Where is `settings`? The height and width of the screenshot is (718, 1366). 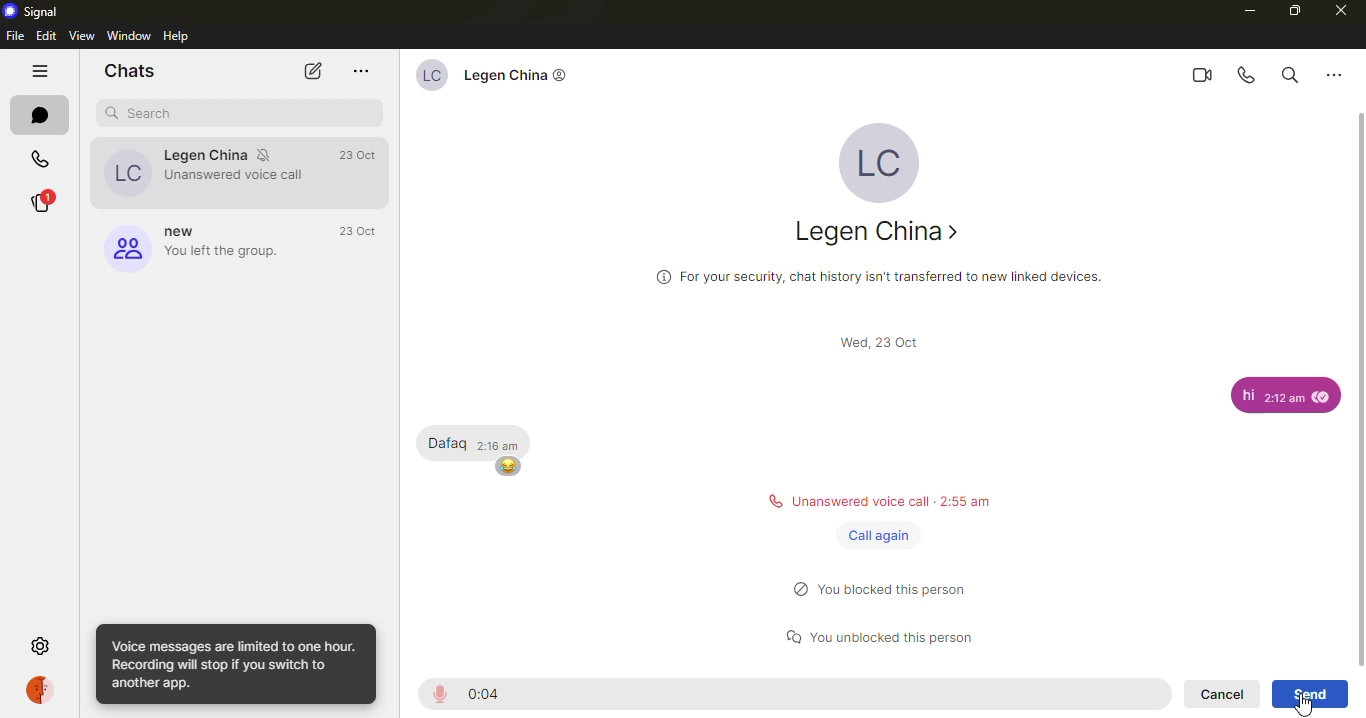
settings is located at coordinates (38, 646).